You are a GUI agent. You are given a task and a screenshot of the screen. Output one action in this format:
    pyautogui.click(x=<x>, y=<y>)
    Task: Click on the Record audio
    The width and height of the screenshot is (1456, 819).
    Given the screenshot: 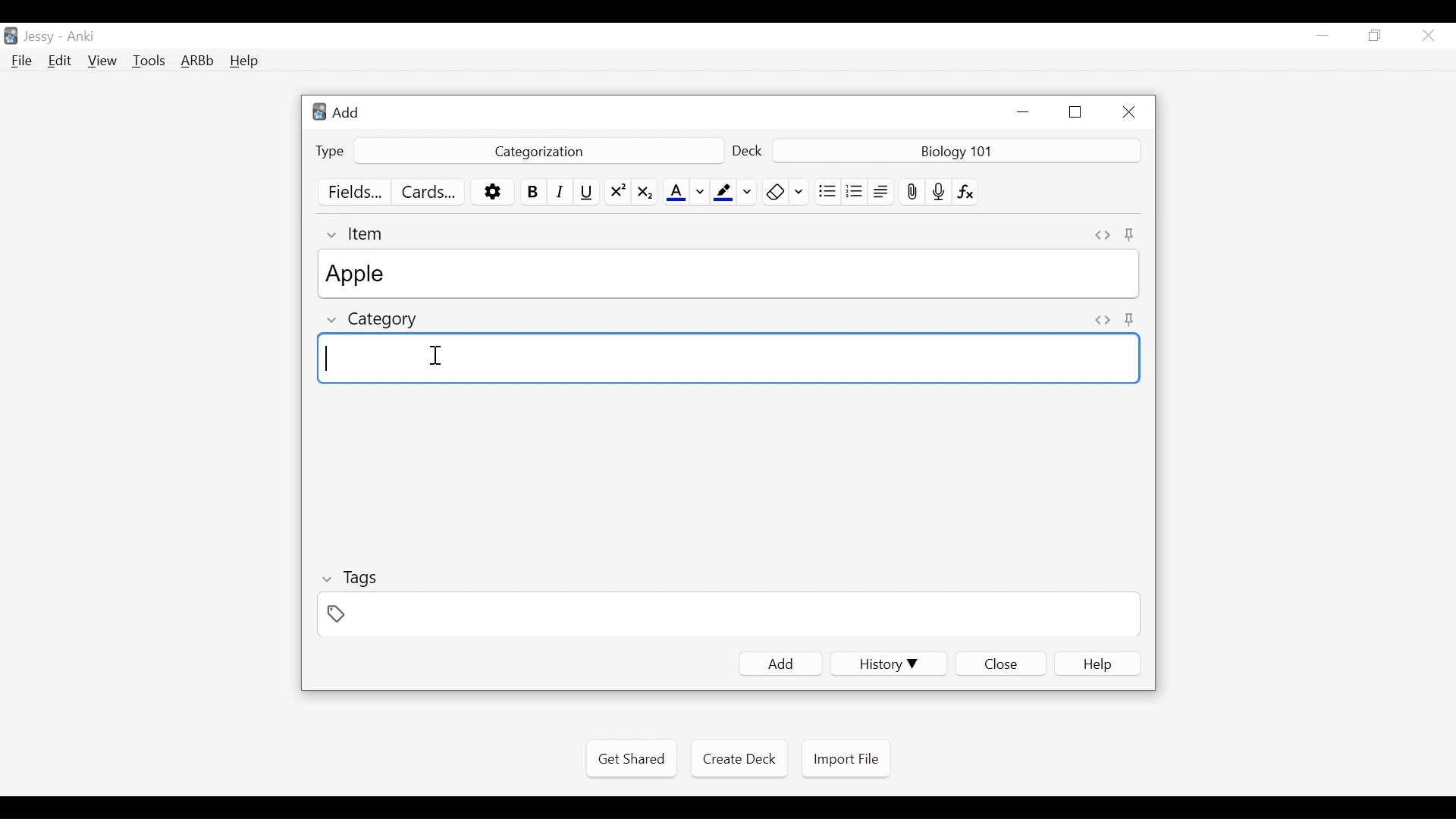 What is the action you would take?
    pyautogui.click(x=939, y=191)
    